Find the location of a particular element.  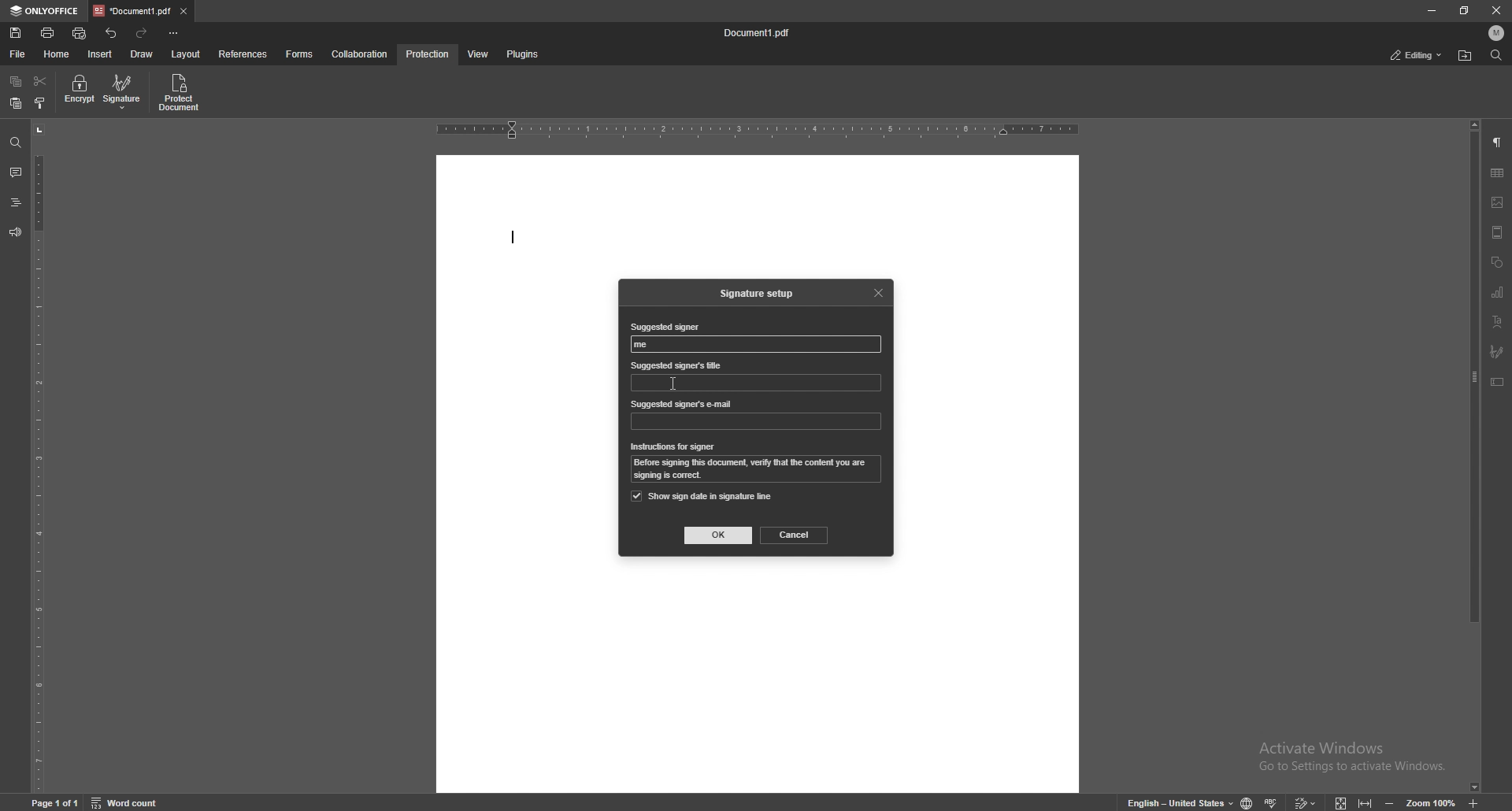

protect document is located at coordinates (181, 92).